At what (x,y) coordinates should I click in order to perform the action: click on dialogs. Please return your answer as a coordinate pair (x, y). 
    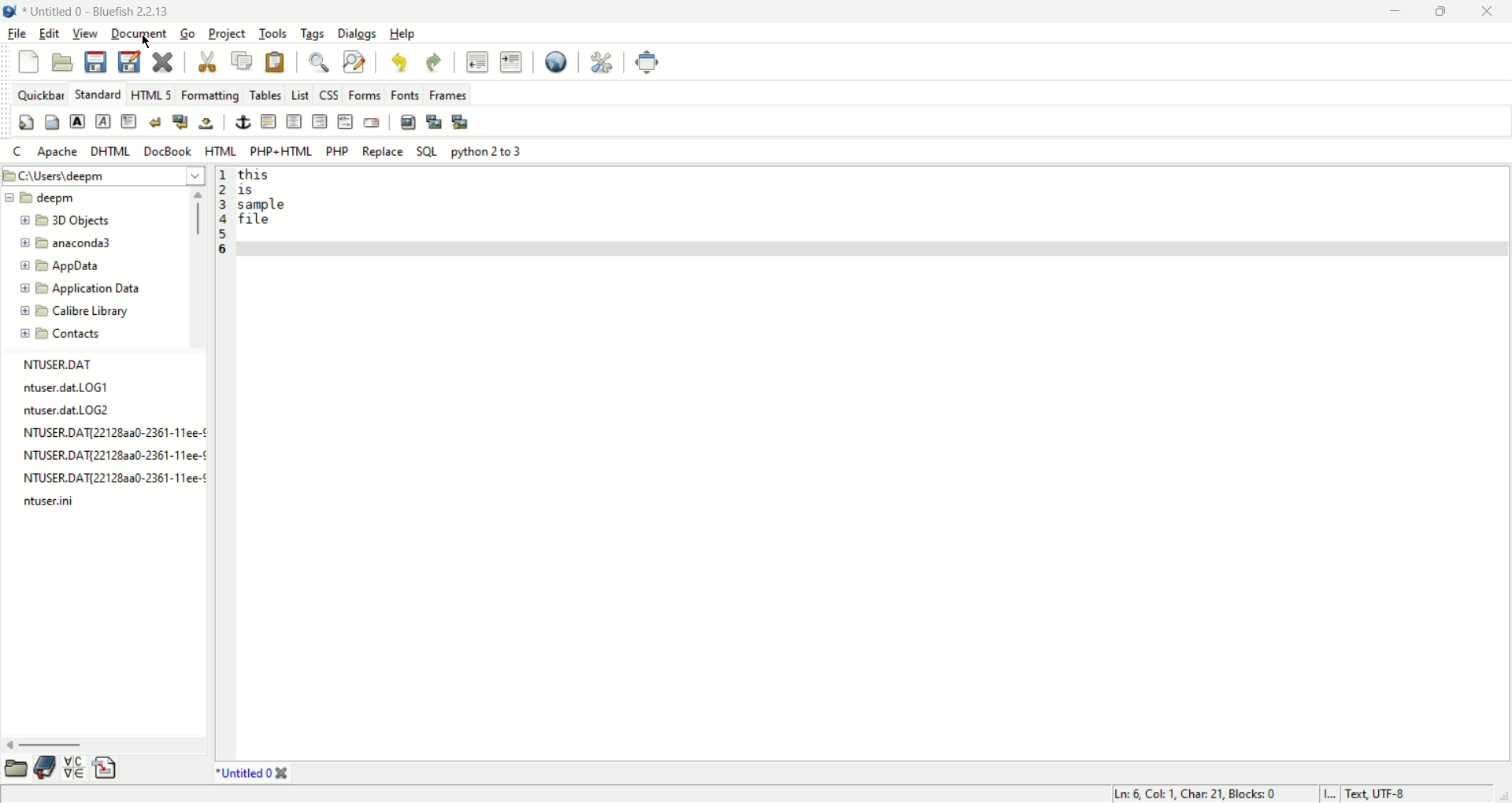
    Looking at the image, I should click on (357, 34).